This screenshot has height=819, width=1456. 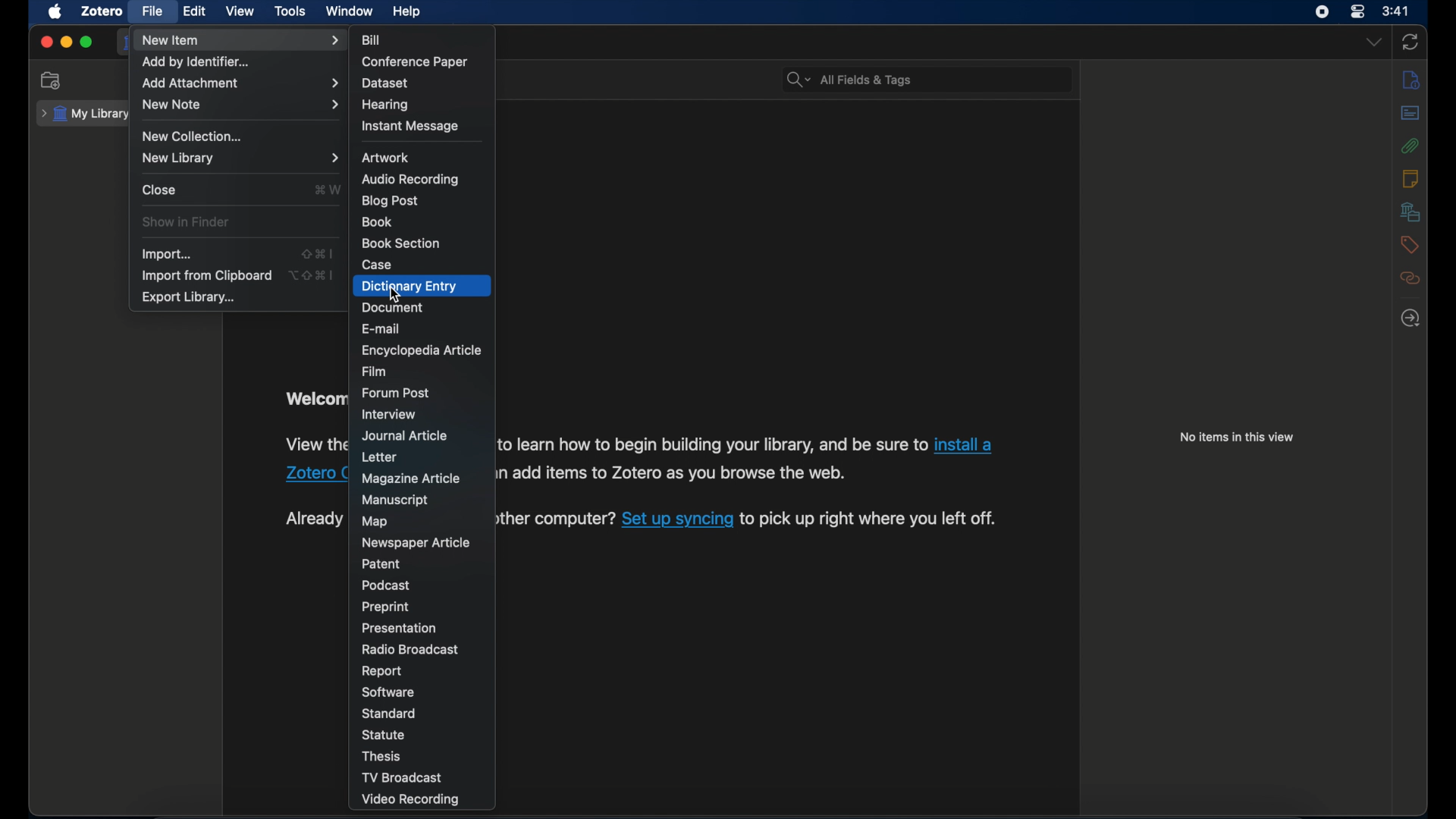 What do you see at coordinates (400, 629) in the screenshot?
I see `presentation` at bounding box center [400, 629].